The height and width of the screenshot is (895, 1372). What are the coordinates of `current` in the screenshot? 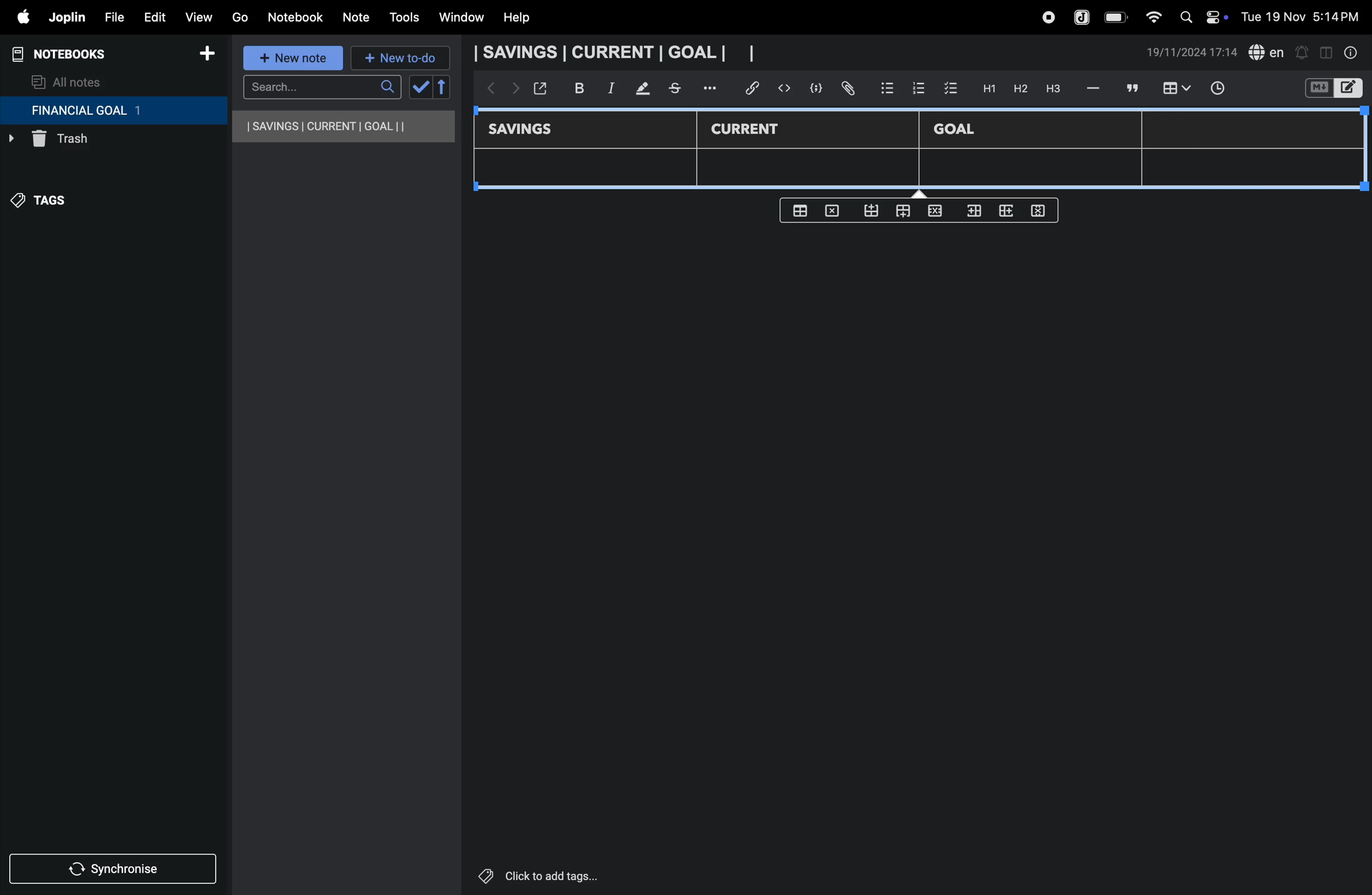 It's located at (753, 130).